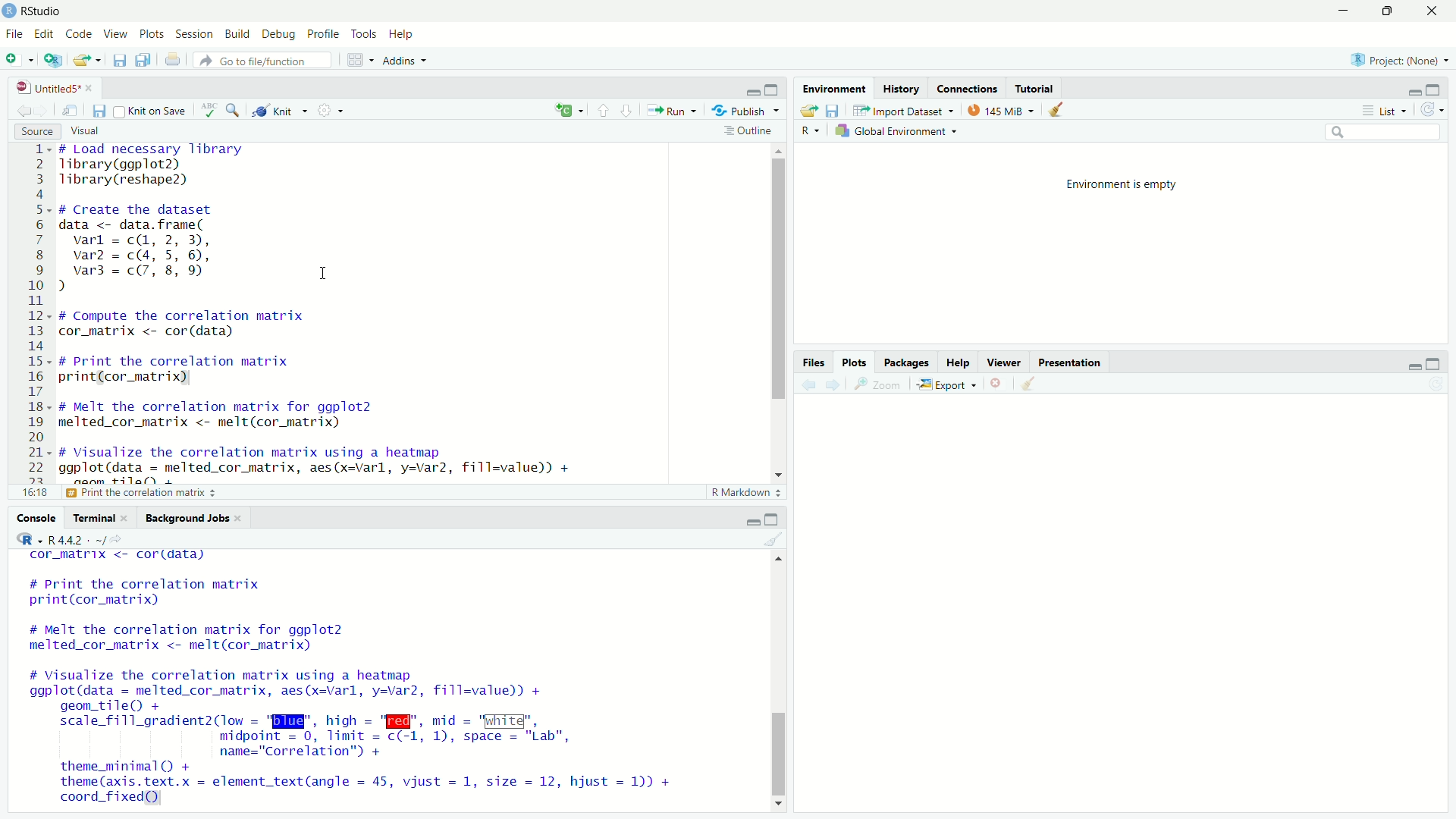  I want to click on RStudio, so click(43, 11).